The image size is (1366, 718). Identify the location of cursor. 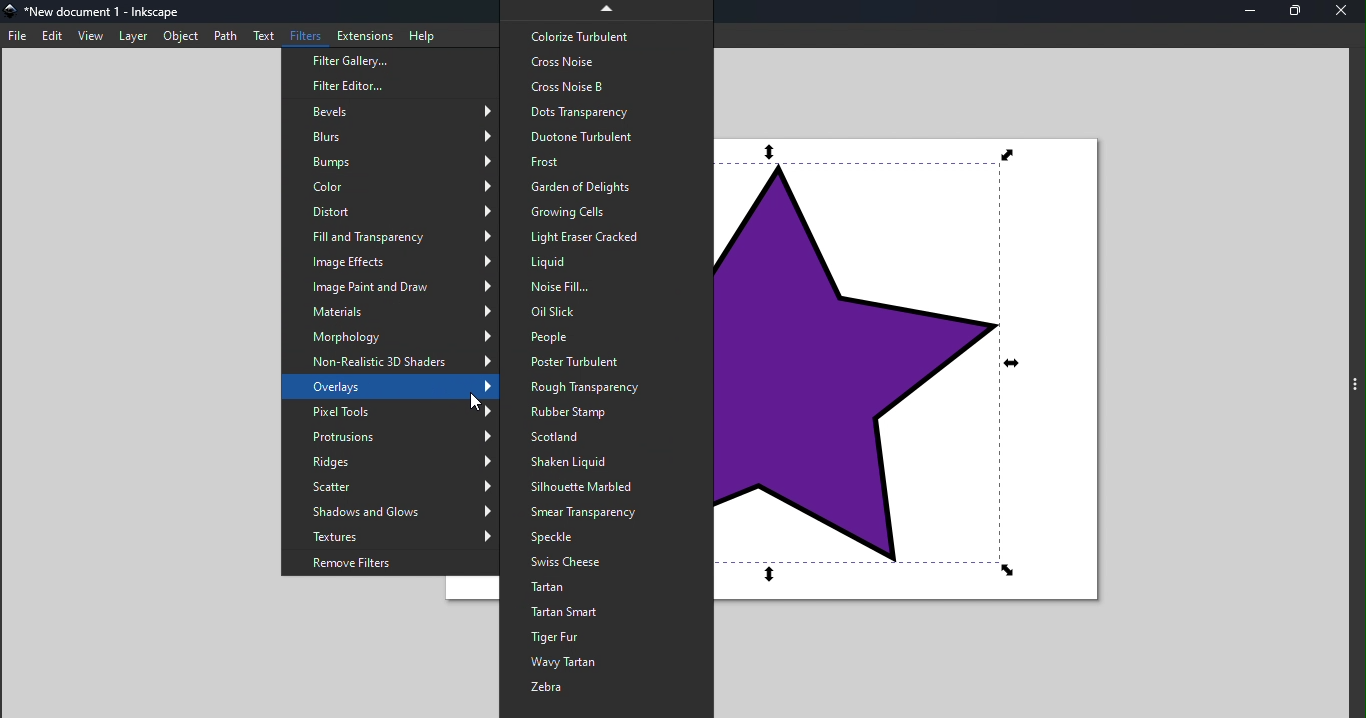
(477, 403).